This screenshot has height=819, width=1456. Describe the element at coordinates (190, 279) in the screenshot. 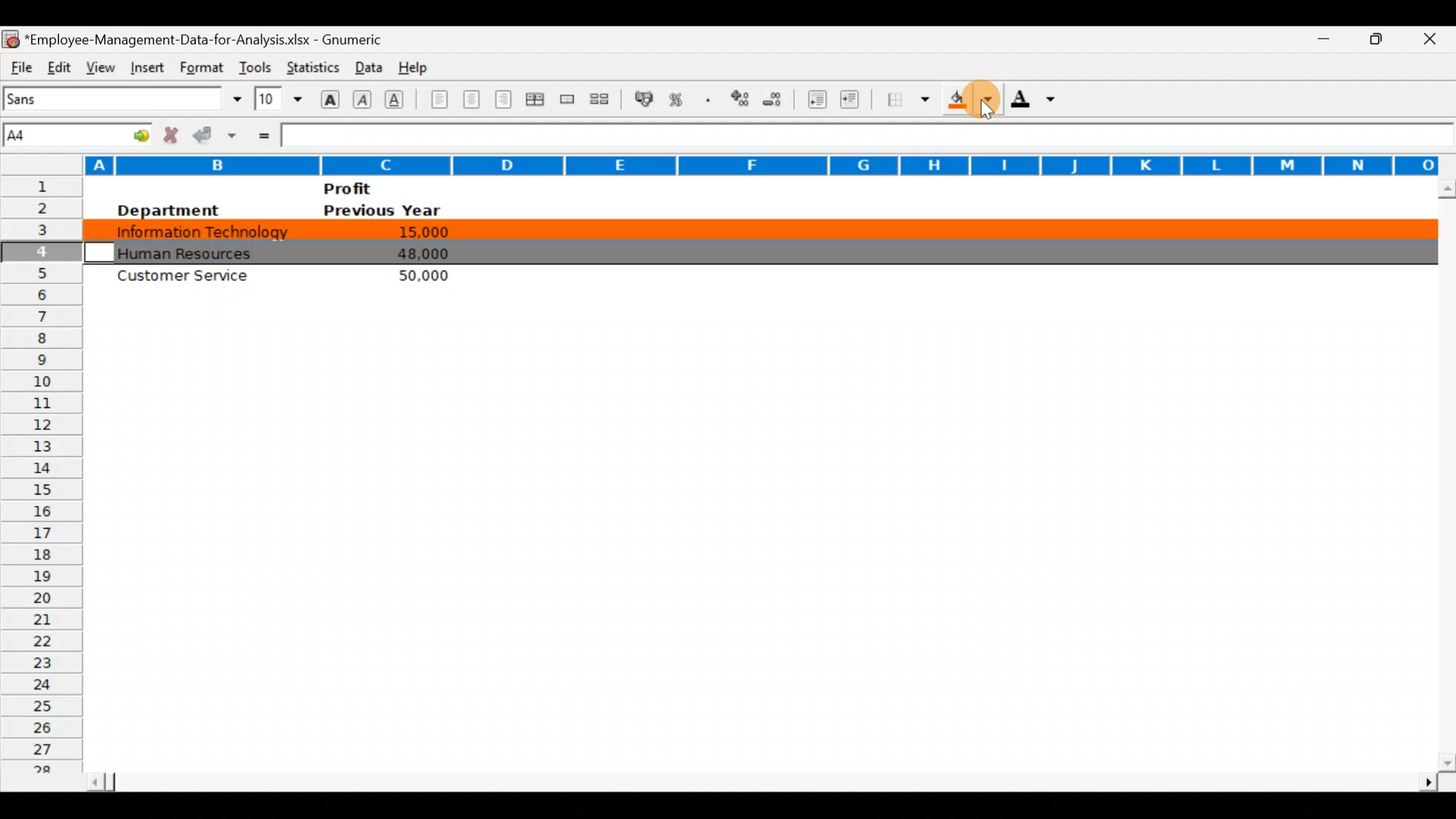

I see `Customer service` at that location.